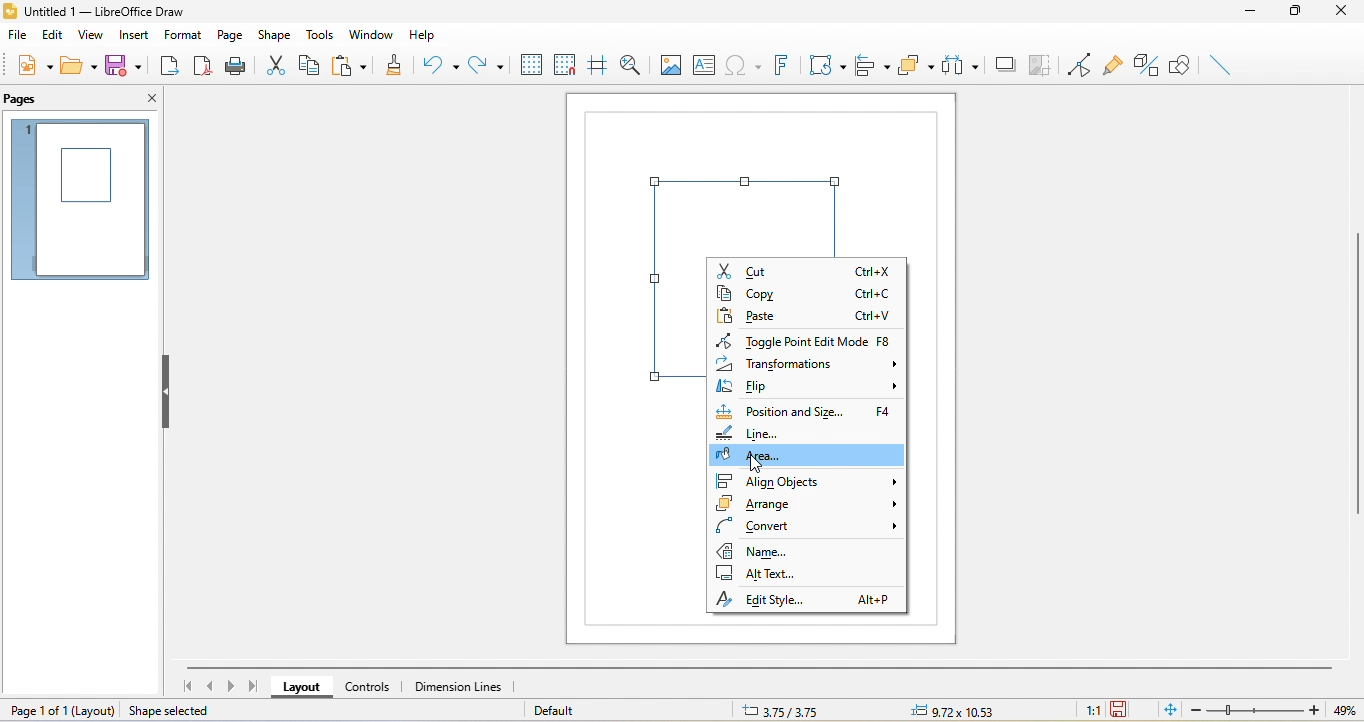  What do you see at coordinates (123, 64) in the screenshot?
I see `save` at bounding box center [123, 64].